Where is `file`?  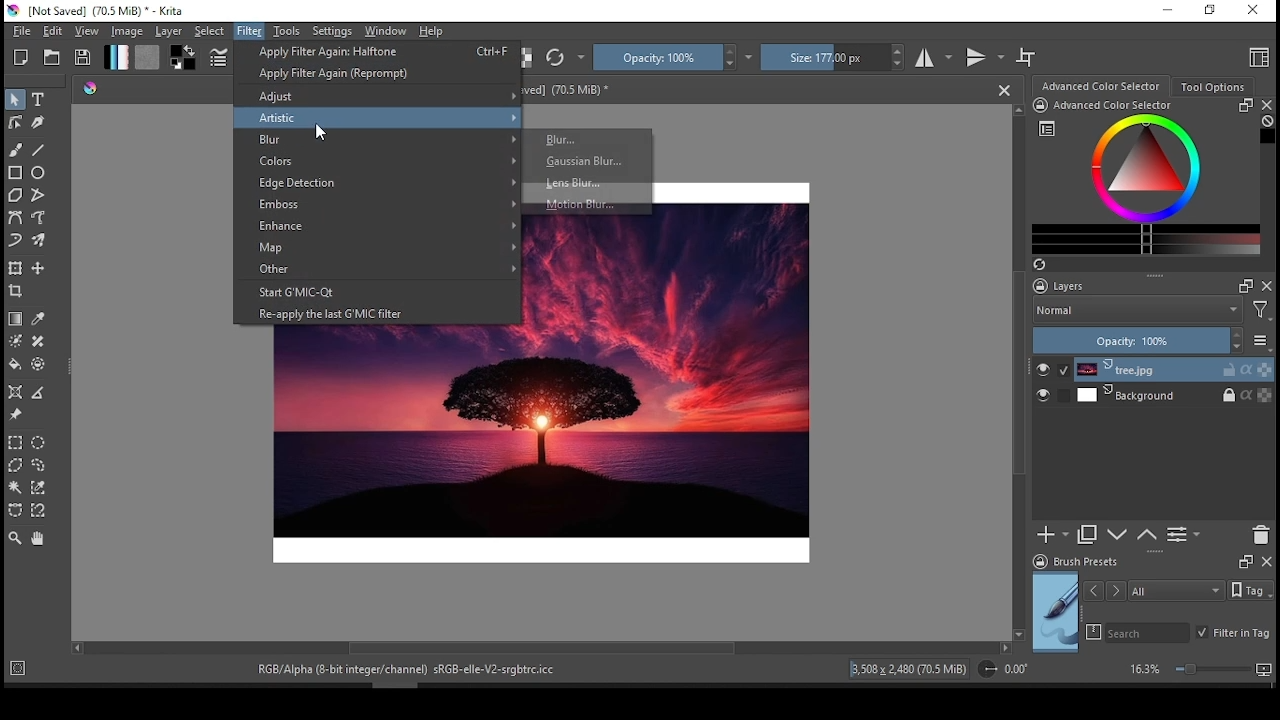
file is located at coordinates (20, 31).